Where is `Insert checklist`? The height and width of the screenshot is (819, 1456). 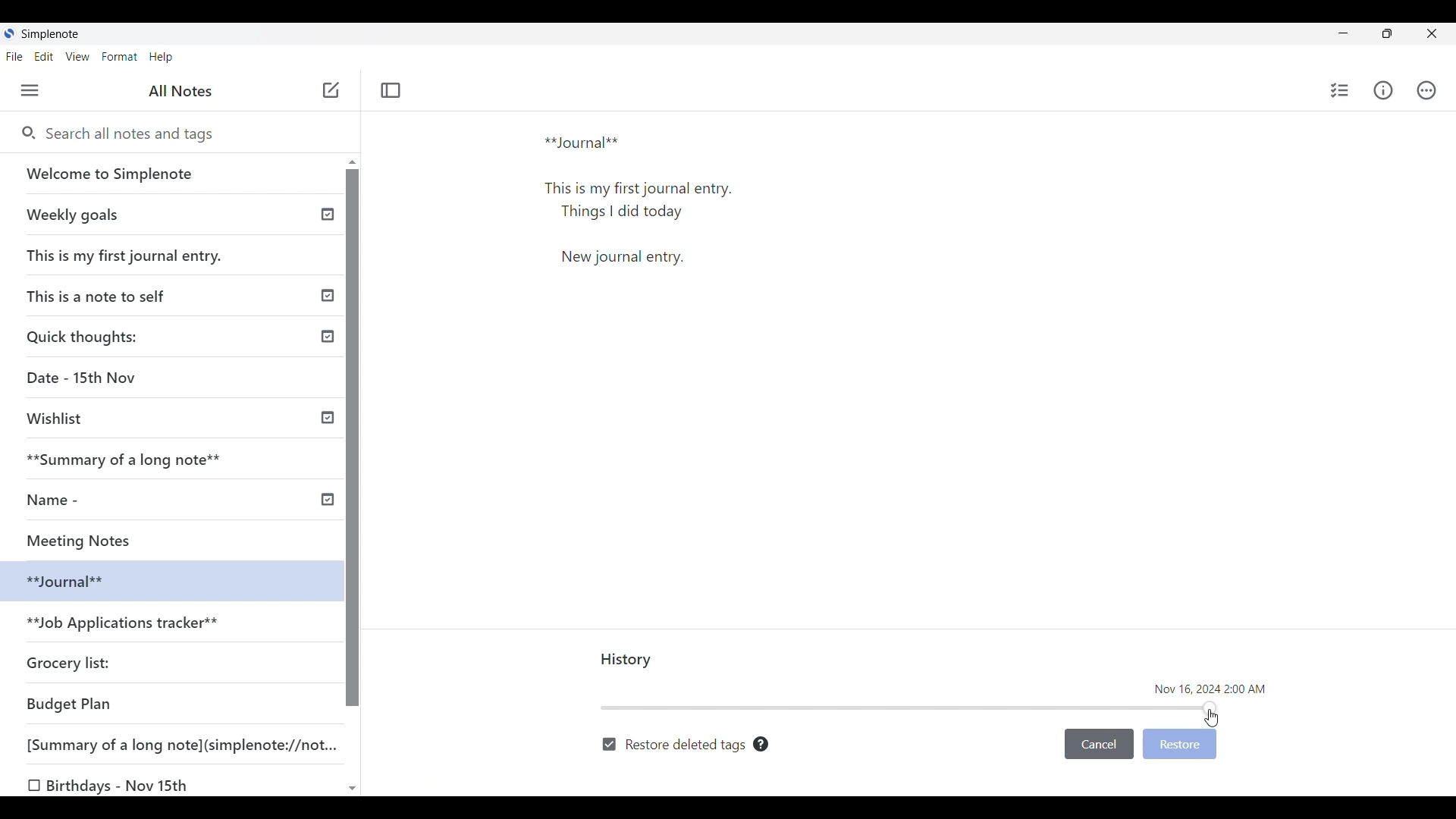
Insert checklist is located at coordinates (1341, 90).